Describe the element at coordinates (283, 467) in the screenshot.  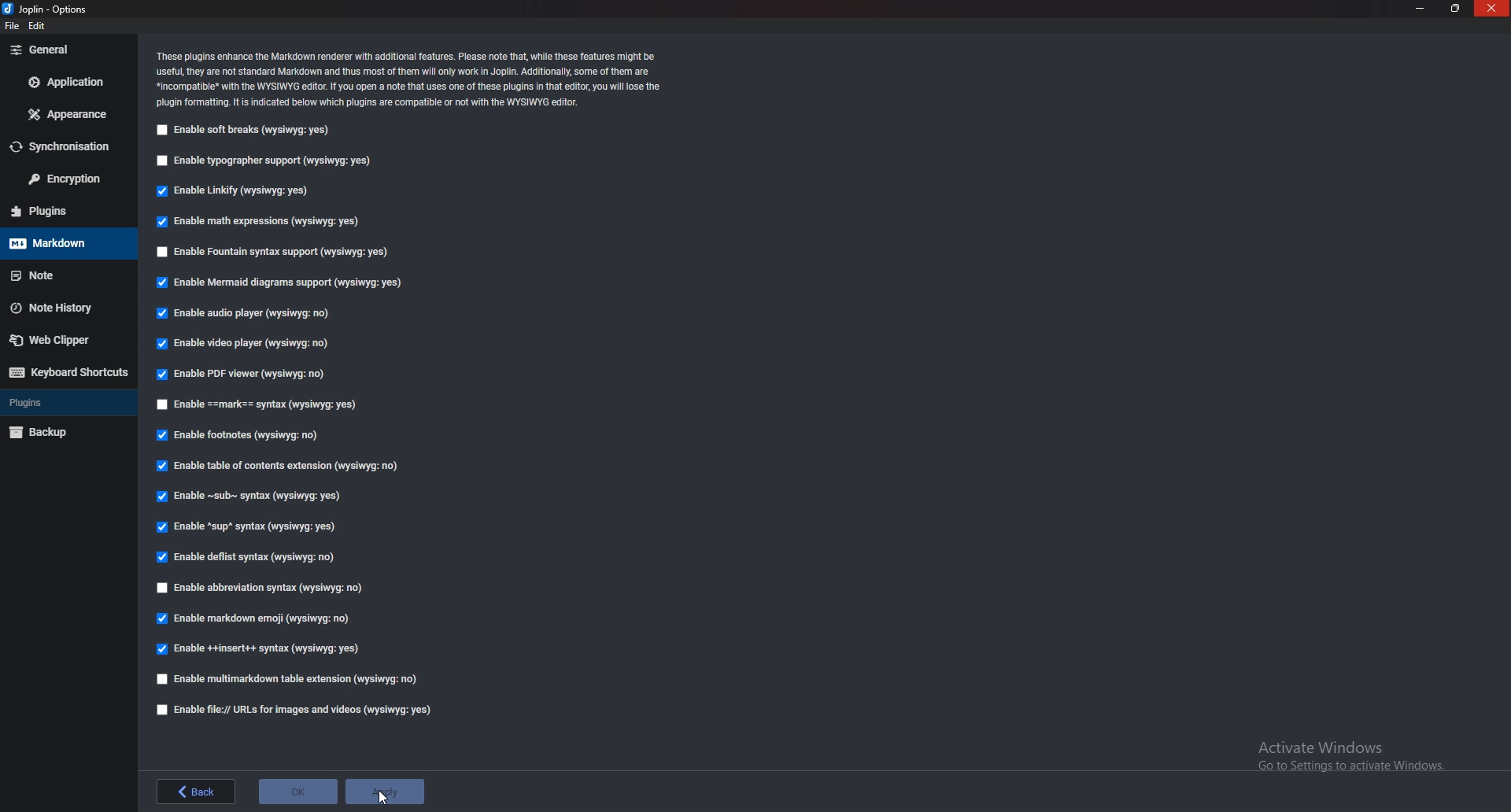
I see `Enable table of contents extension` at that location.